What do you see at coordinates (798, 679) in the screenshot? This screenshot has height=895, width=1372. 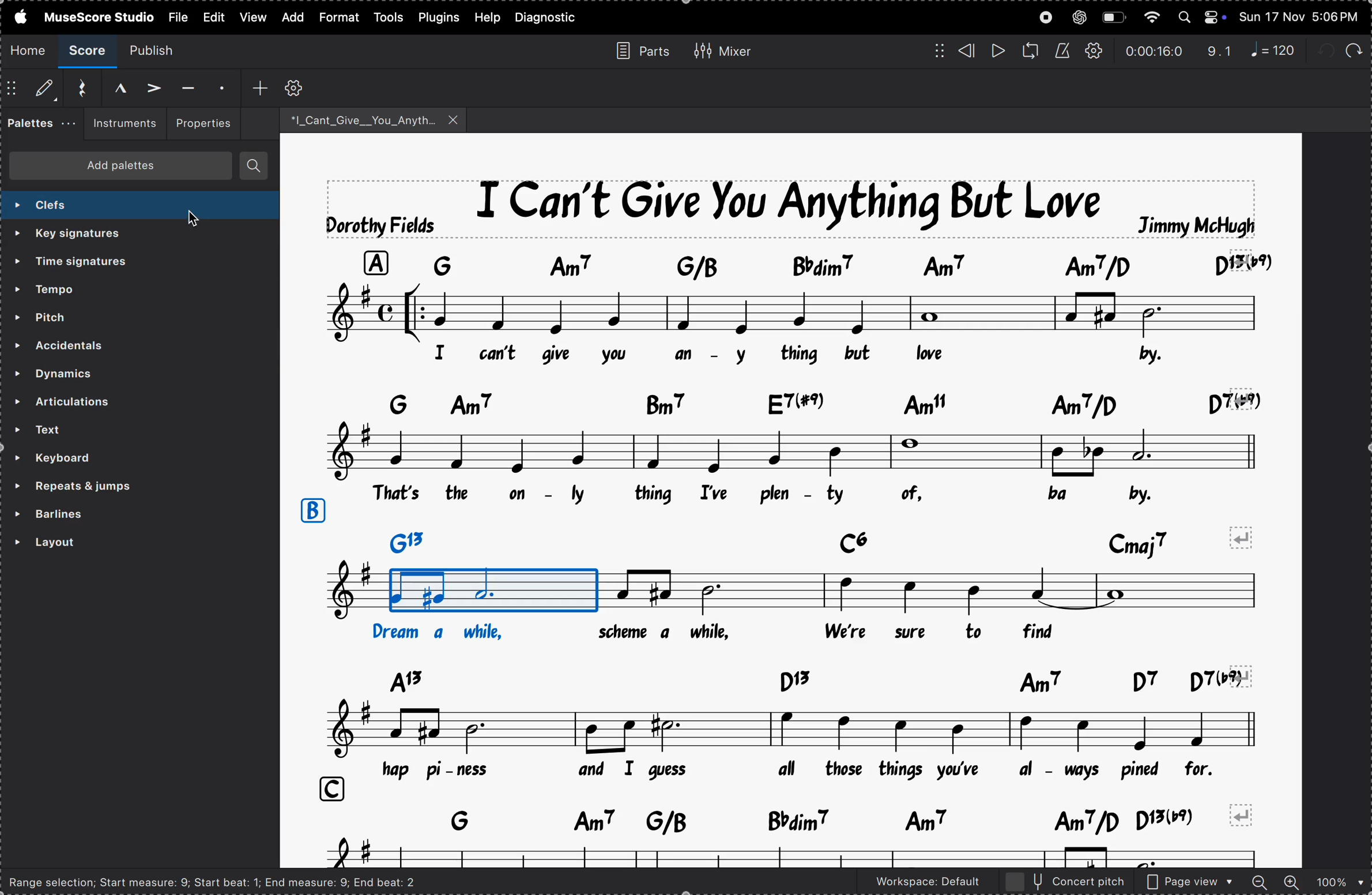 I see `key notes` at bounding box center [798, 679].